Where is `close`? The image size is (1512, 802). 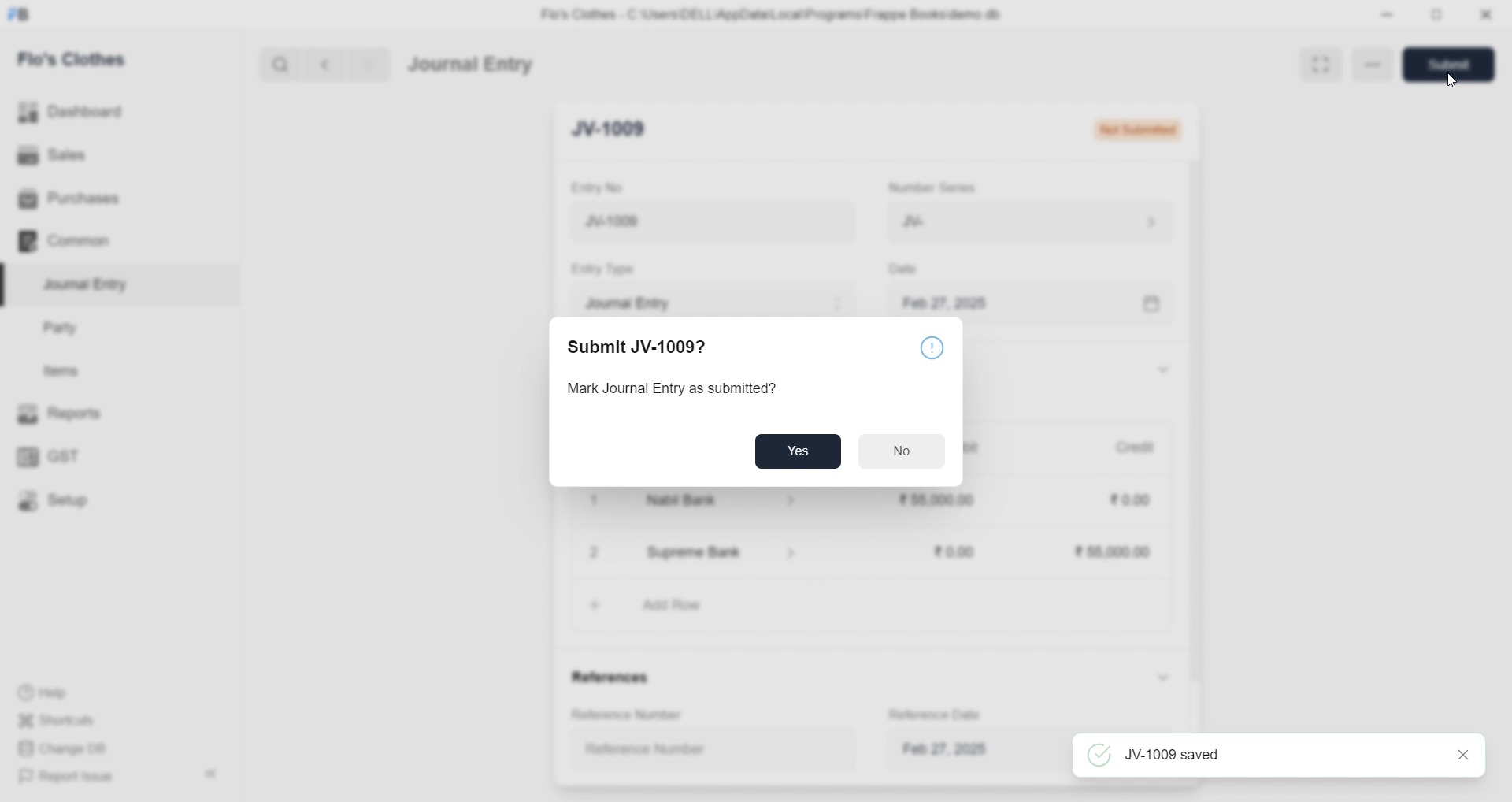
close is located at coordinates (1461, 753).